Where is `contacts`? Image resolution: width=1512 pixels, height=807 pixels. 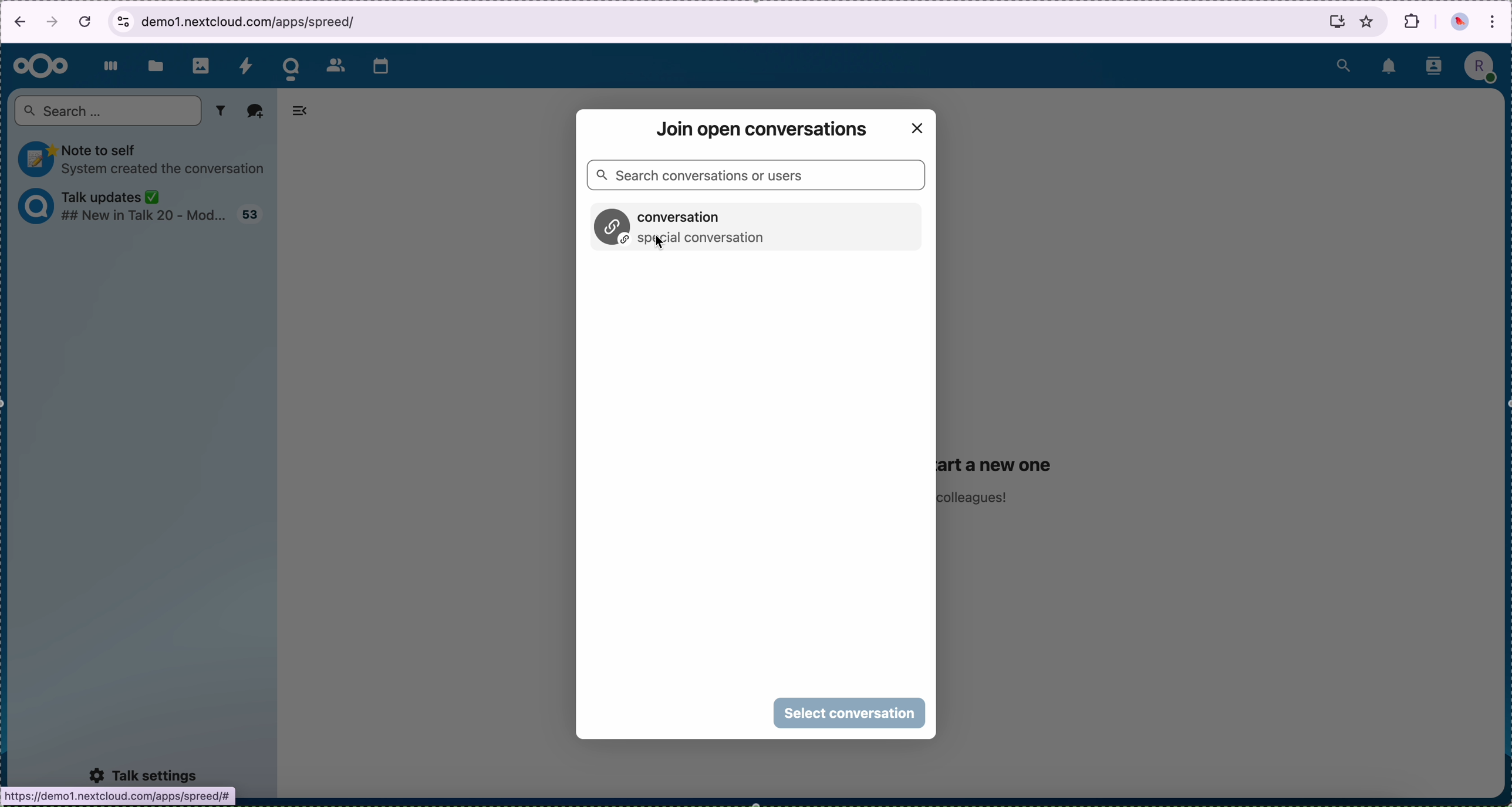
contacts is located at coordinates (1433, 66).